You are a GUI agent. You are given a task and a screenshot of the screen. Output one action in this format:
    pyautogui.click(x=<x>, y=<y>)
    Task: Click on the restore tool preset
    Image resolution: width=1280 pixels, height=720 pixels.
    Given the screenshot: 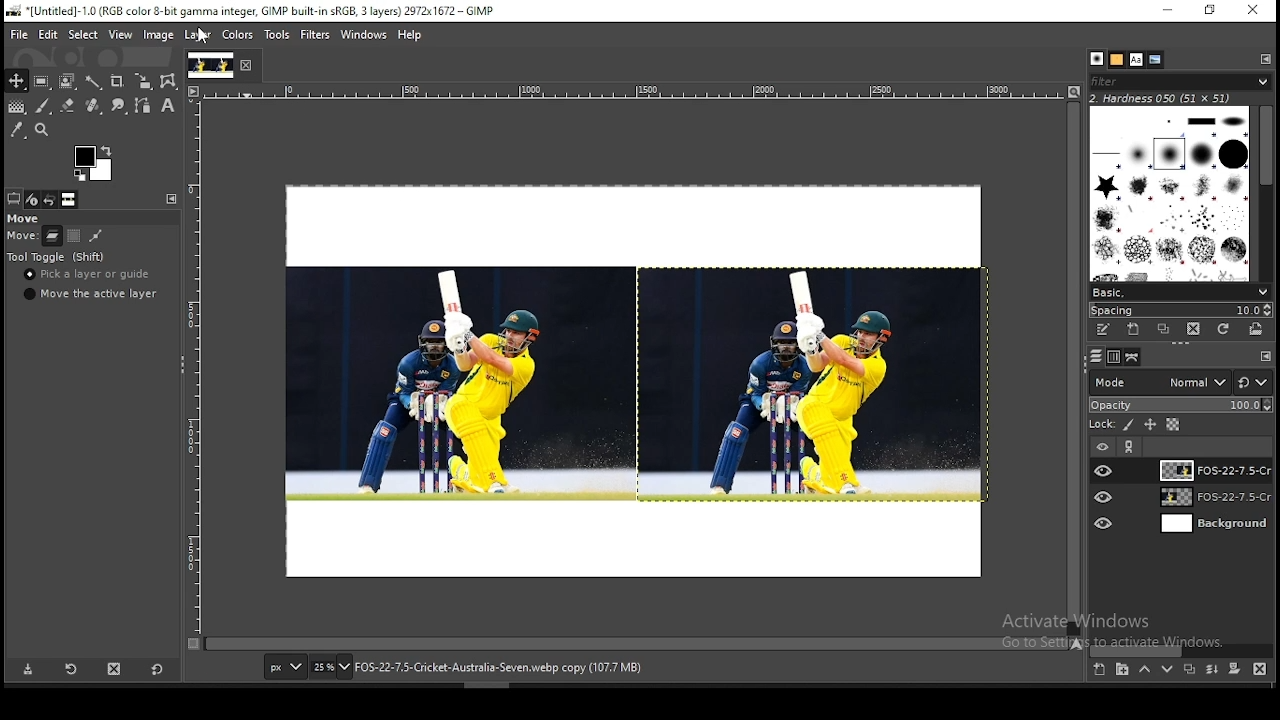 What is the action you would take?
    pyautogui.click(x=70, y=670)
    